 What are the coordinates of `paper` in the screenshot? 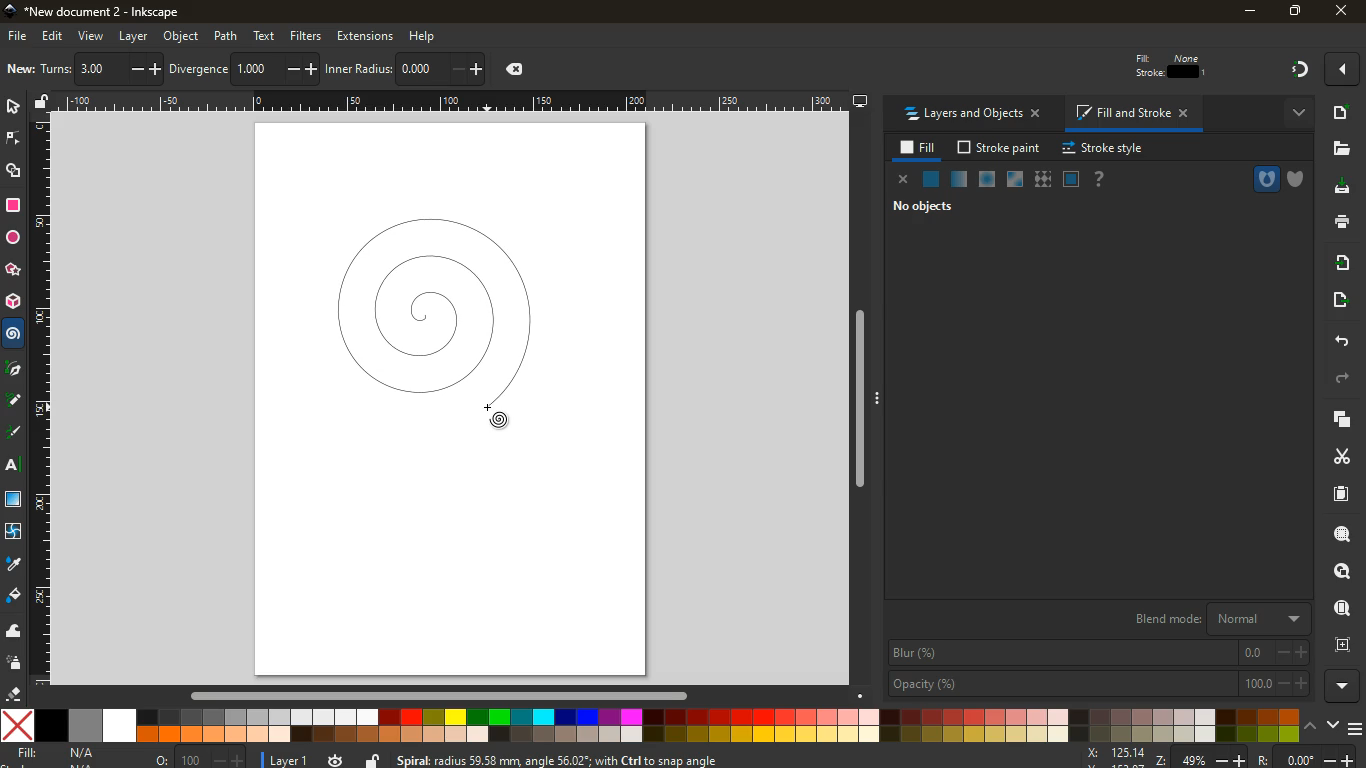 It's located at (1342, 495).